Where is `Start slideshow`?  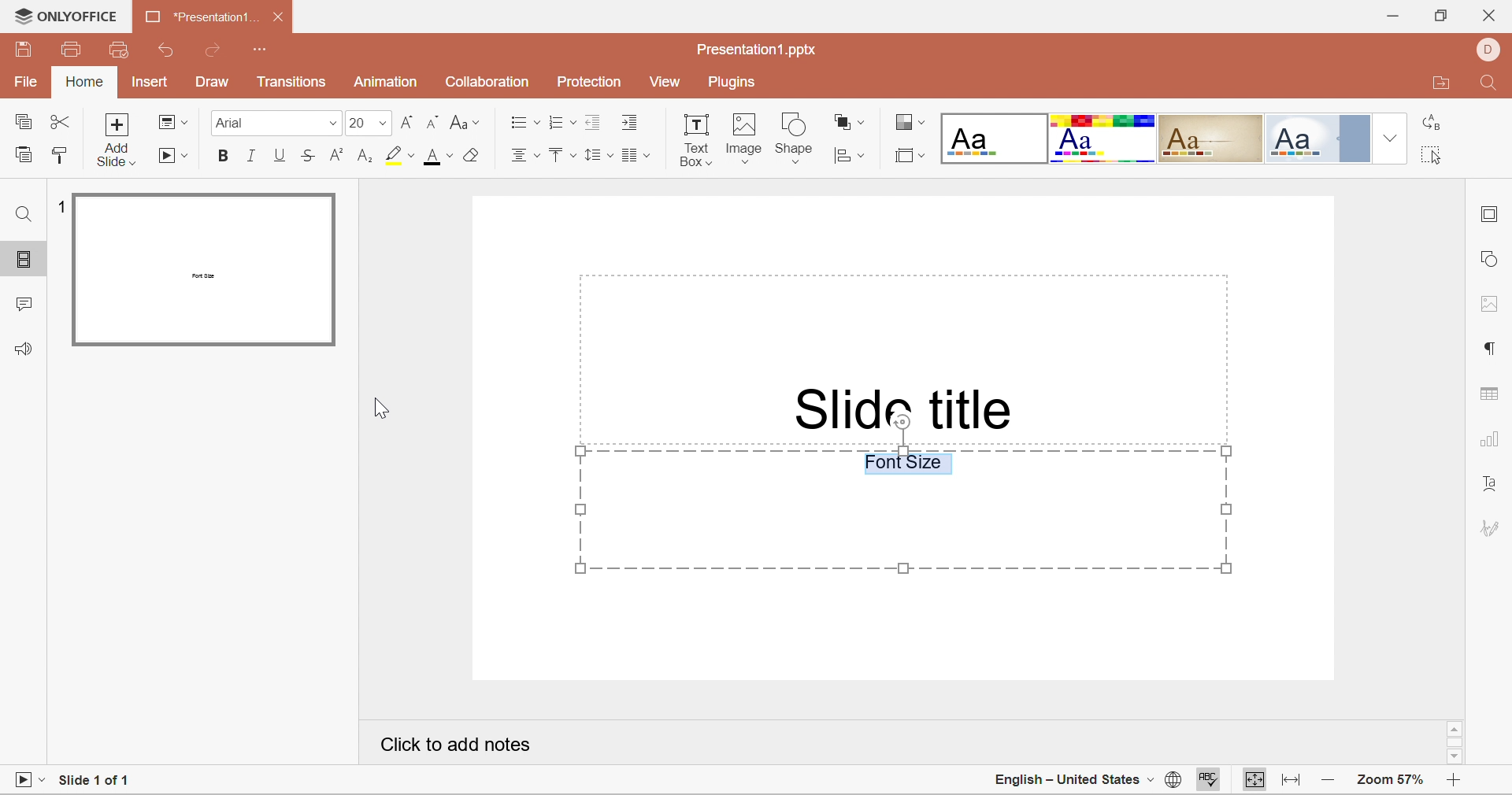
Start slideshow is located at coordinates (27, 780).